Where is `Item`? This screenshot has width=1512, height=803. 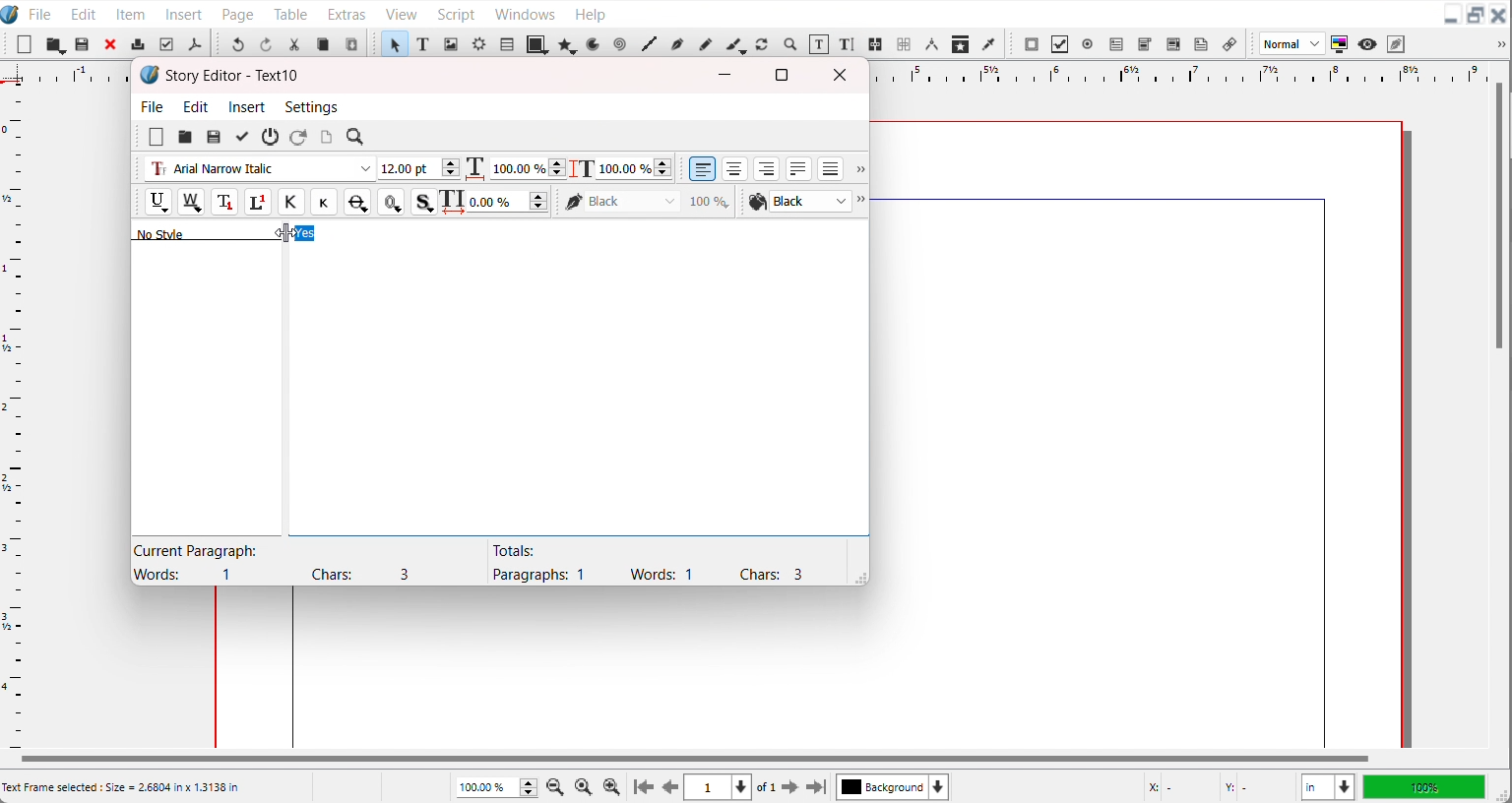 Item is located at coordinates (132, 14).